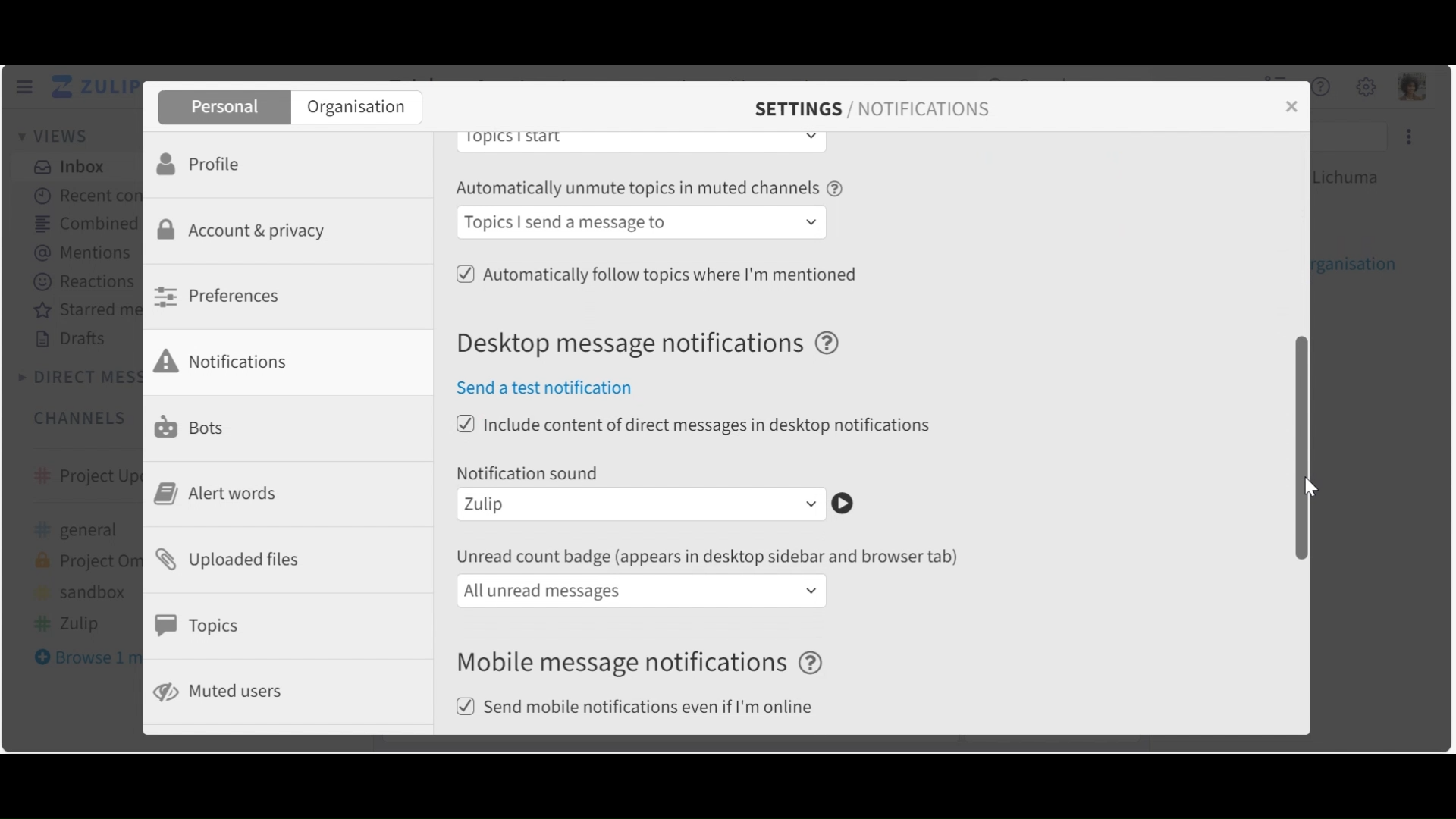 The image size is (1456, 819). Describe the element at coordinates (872, 109) in the screenshot. I see `SETTINGS / NOTIFICATIONS` at that location.